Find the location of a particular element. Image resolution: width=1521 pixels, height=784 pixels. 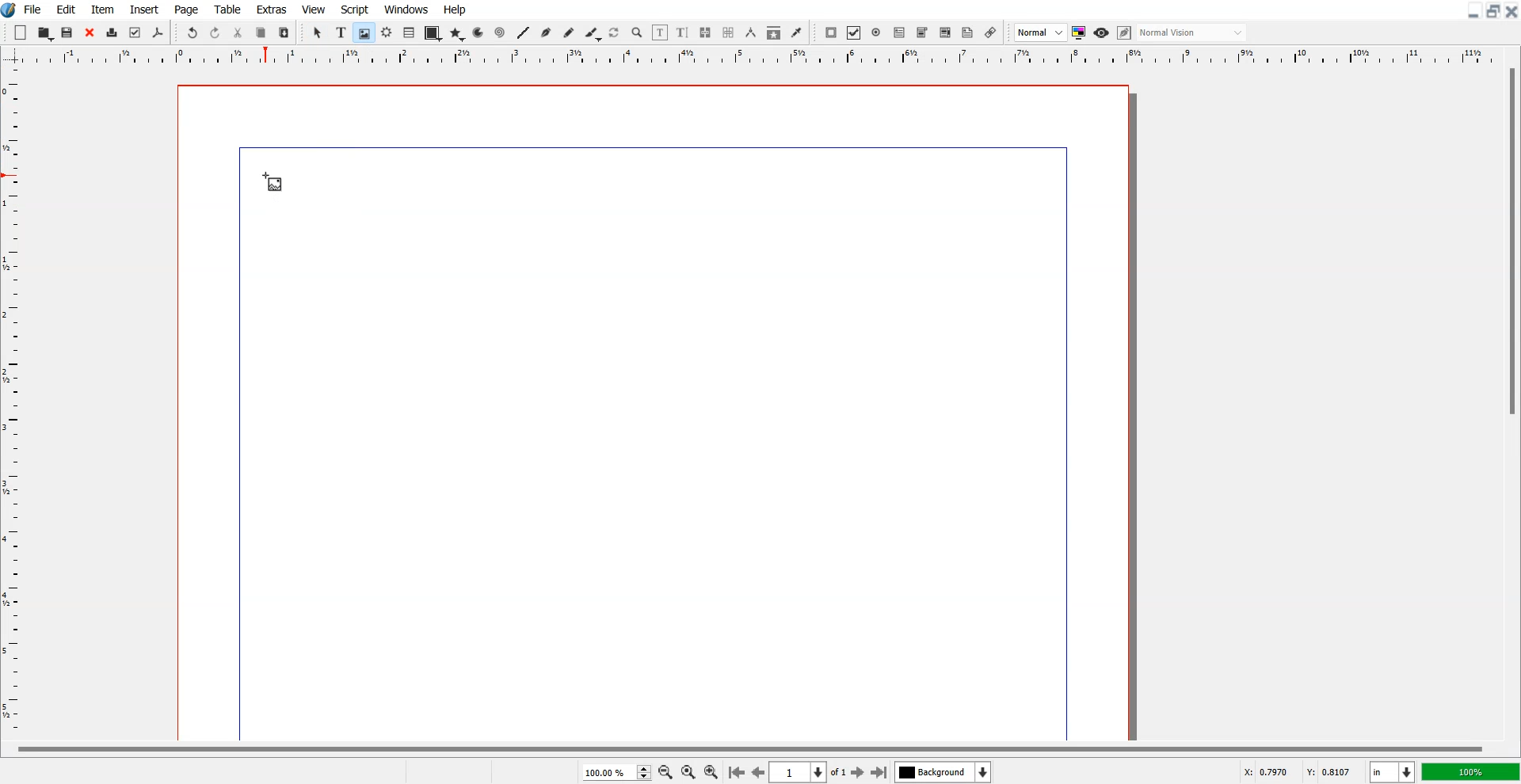

Go to last Page is located at coordinates (879, 772).